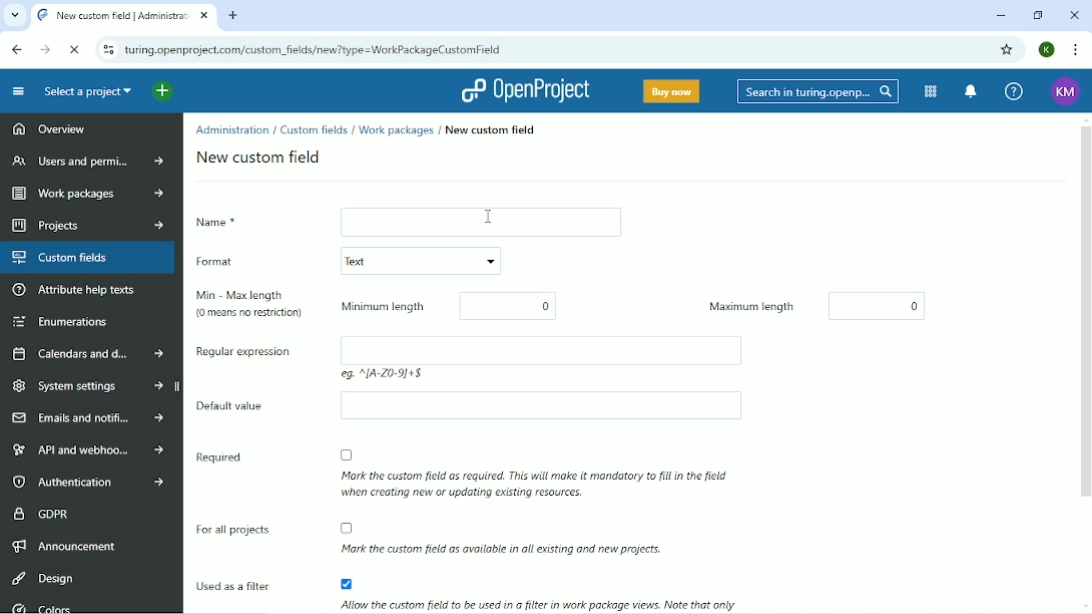 The height and width of the screenshot is (614, 1092). Describe the element at coordinates (397, 131) in the screenshot. I see `Work packages` at that location.